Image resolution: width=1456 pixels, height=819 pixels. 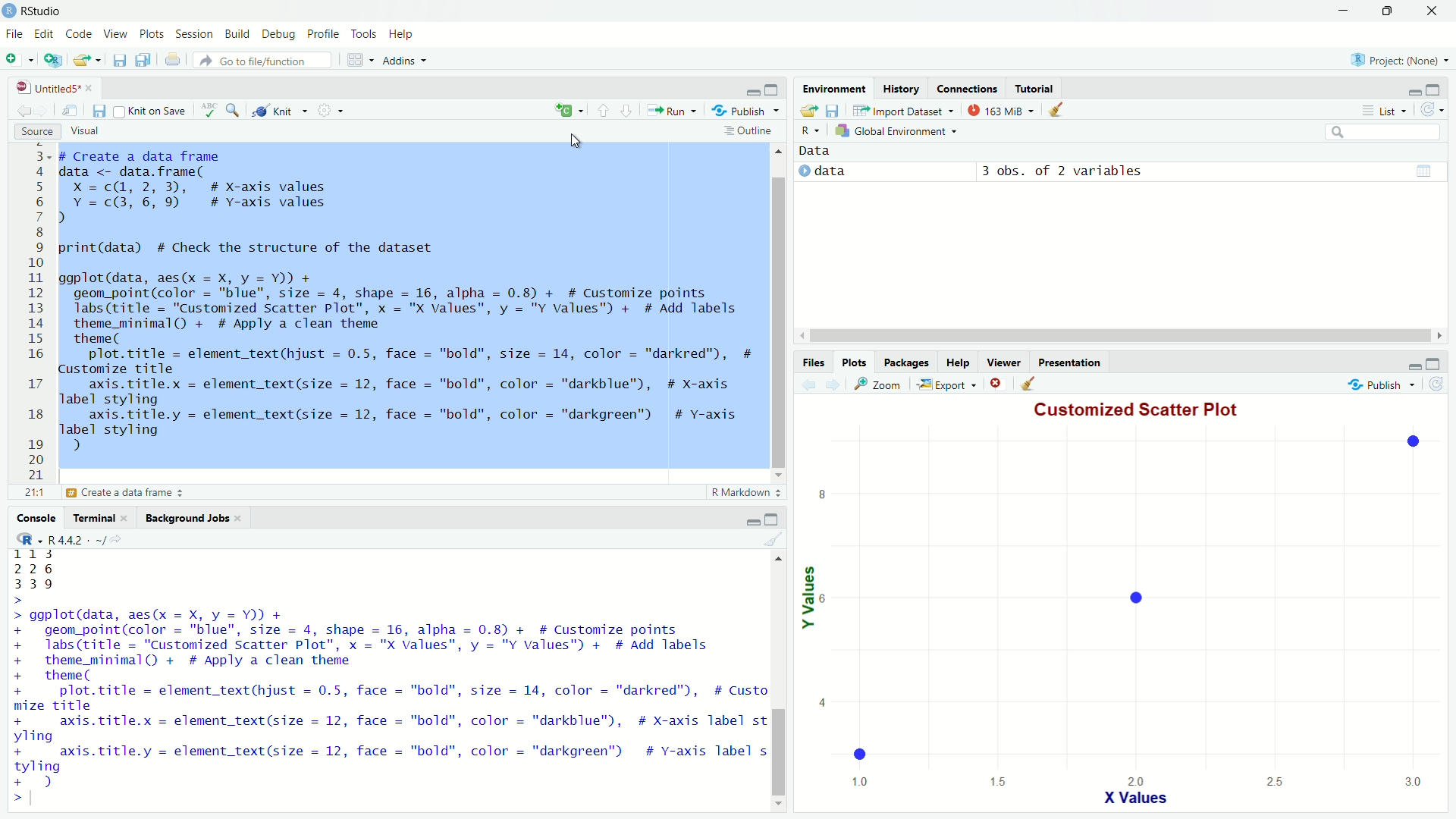 I want to click on Go to file/function, so click(x=262, y=60).